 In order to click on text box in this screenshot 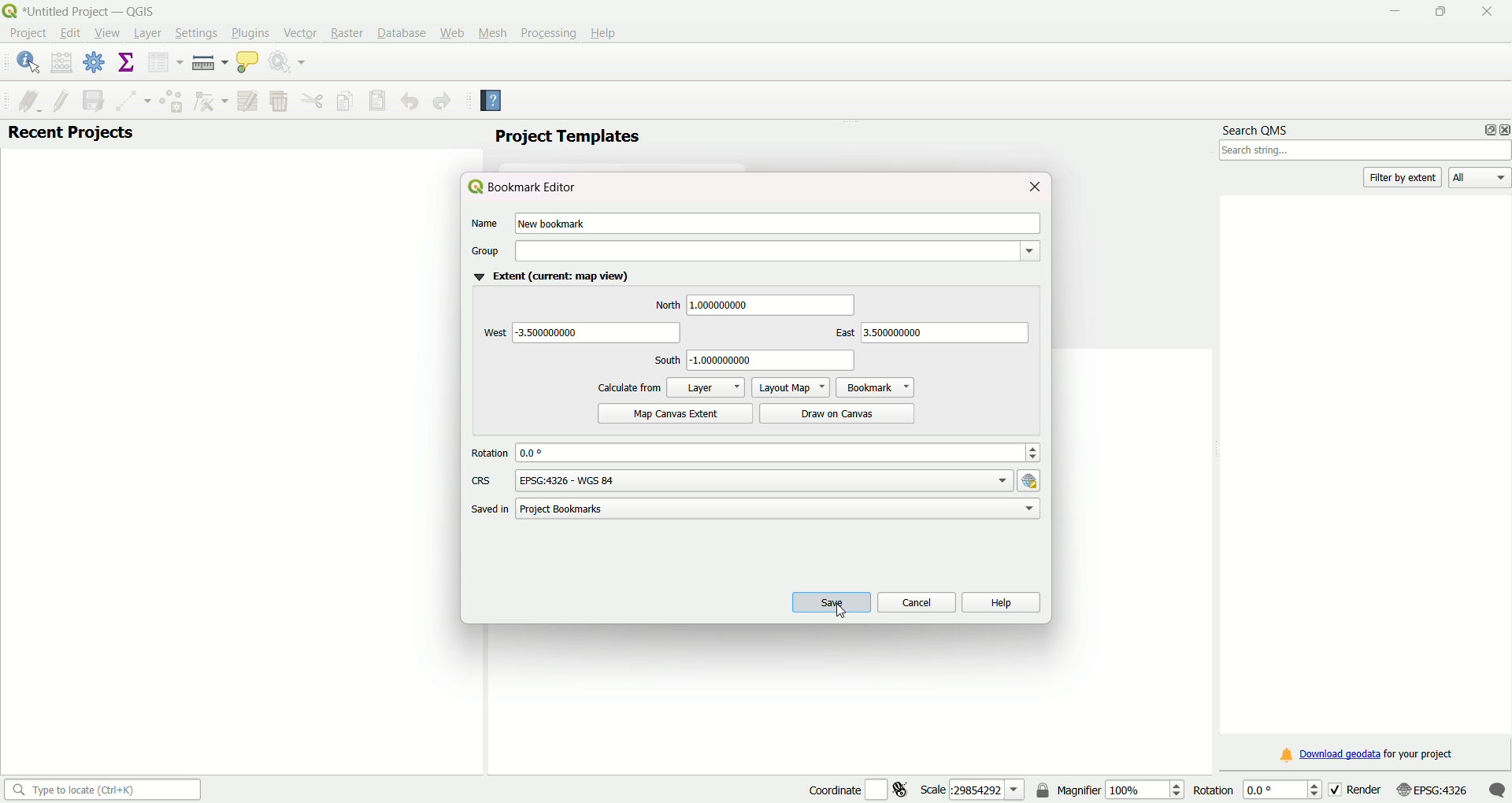, I will do `click(780, 452)`.